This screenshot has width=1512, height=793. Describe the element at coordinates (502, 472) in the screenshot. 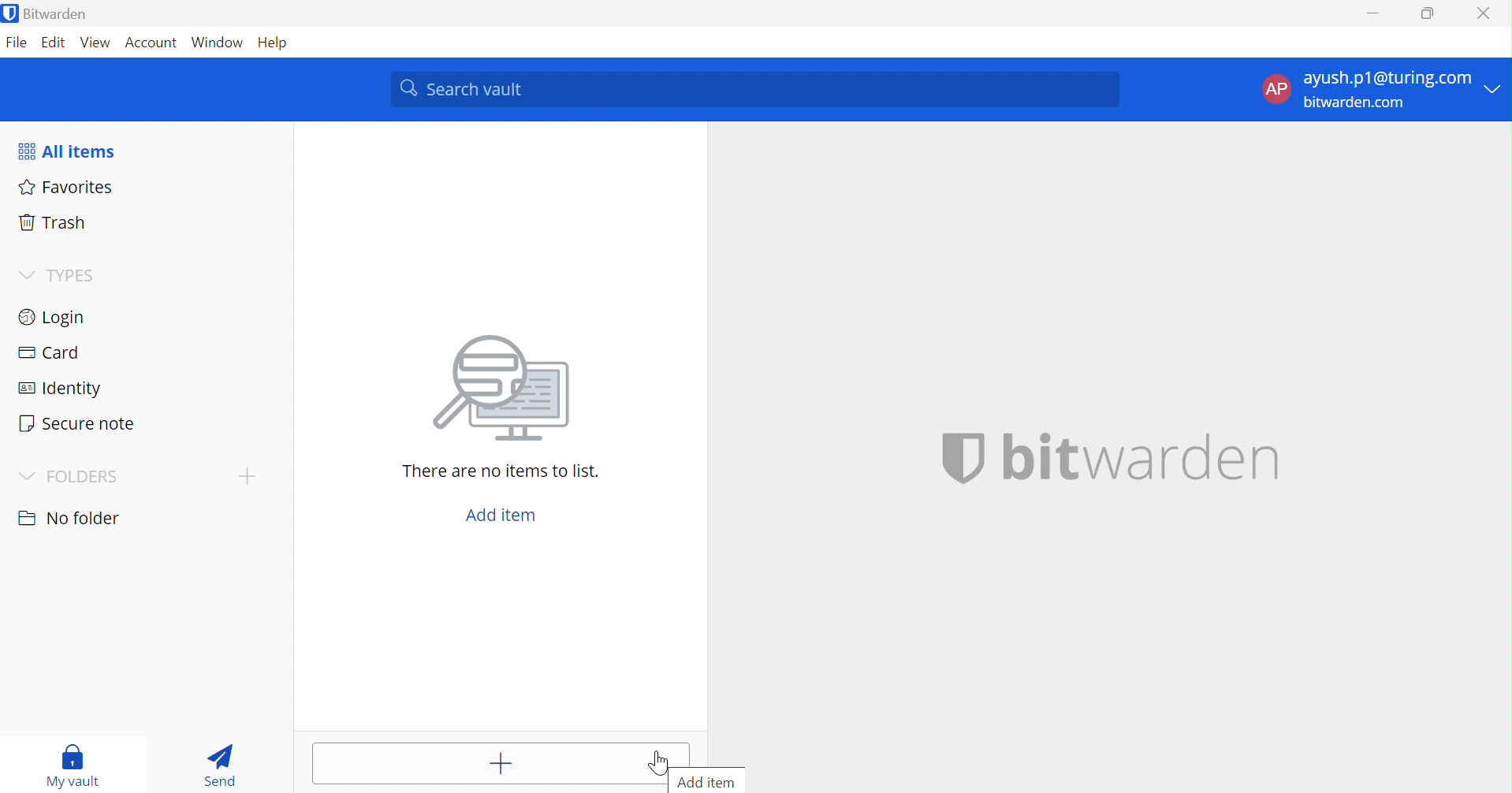

I see `There are no items to list.` at that location.